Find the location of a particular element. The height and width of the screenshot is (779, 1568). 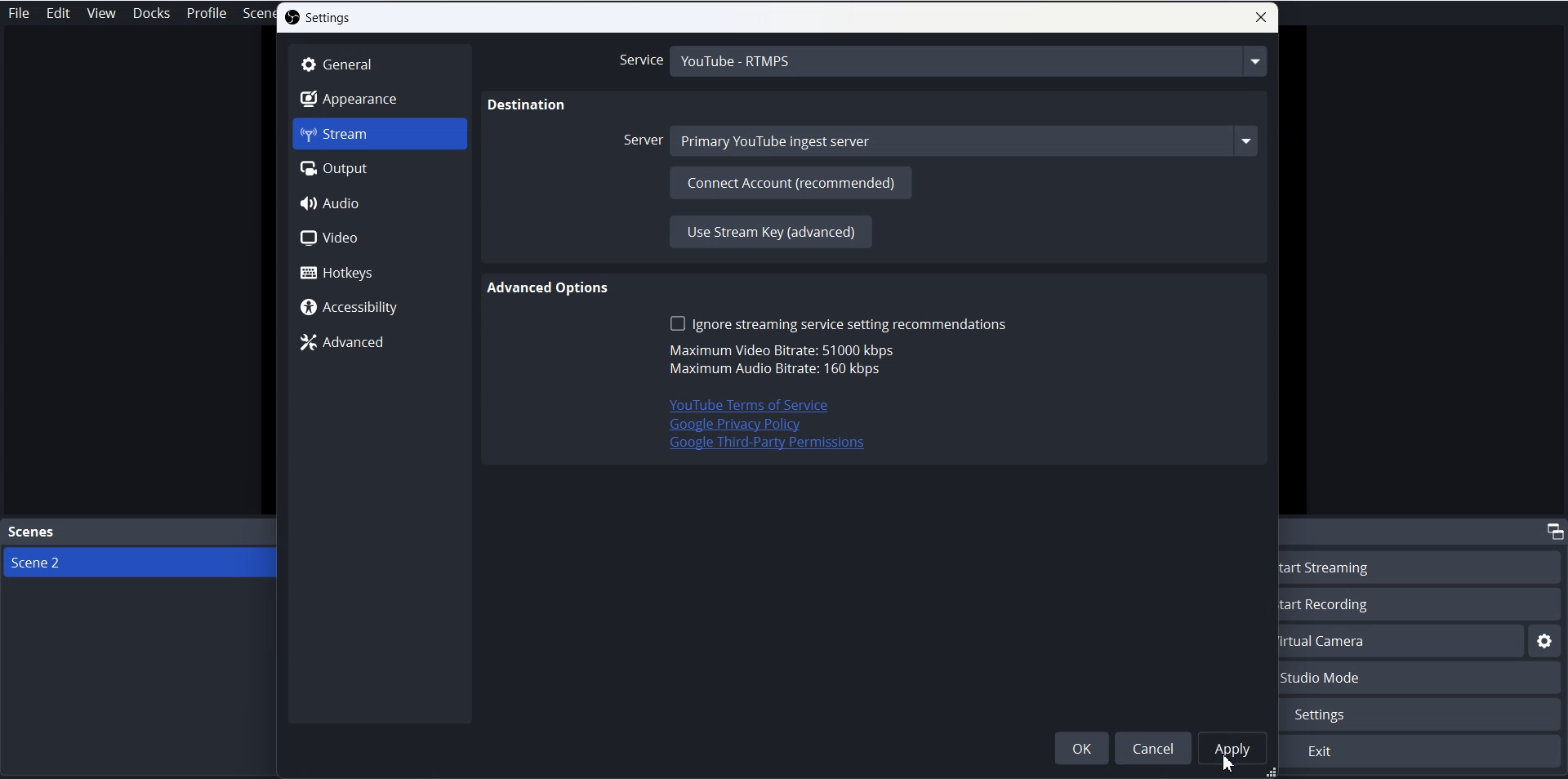

Audio is located at coordinates (377, 203).